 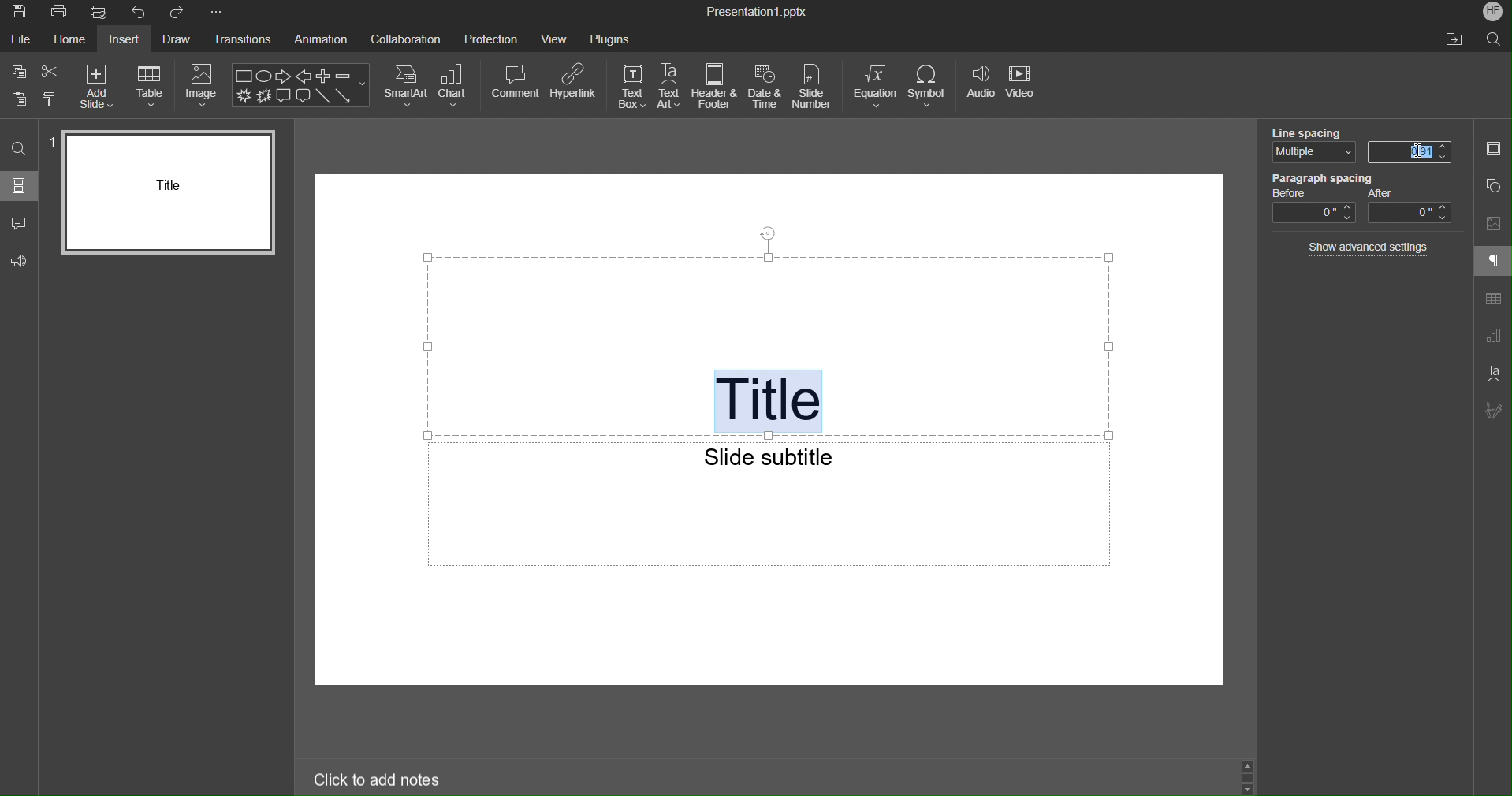 What do you see at coordinates (491, 41) in the screenshot?
I see `Protection` at bounding box center [491, 41].